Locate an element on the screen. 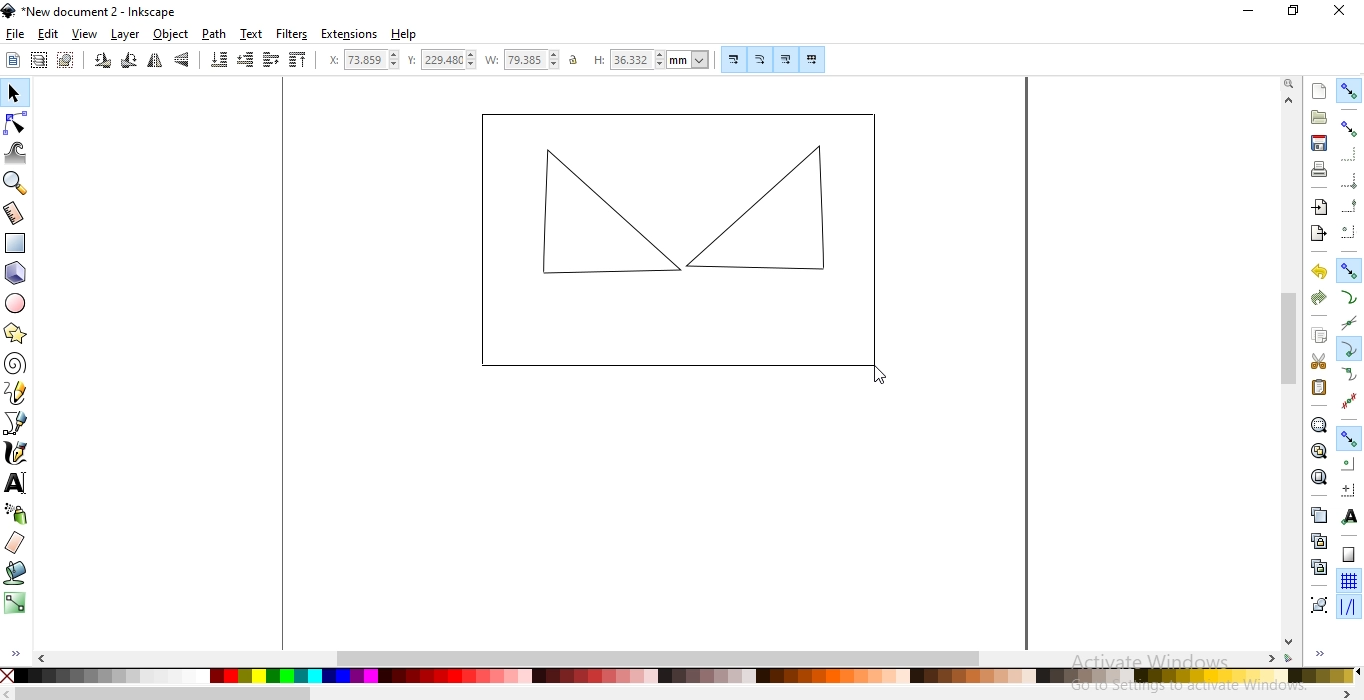  draw bezier lines and straight lines is located at coordinates (18, 425).